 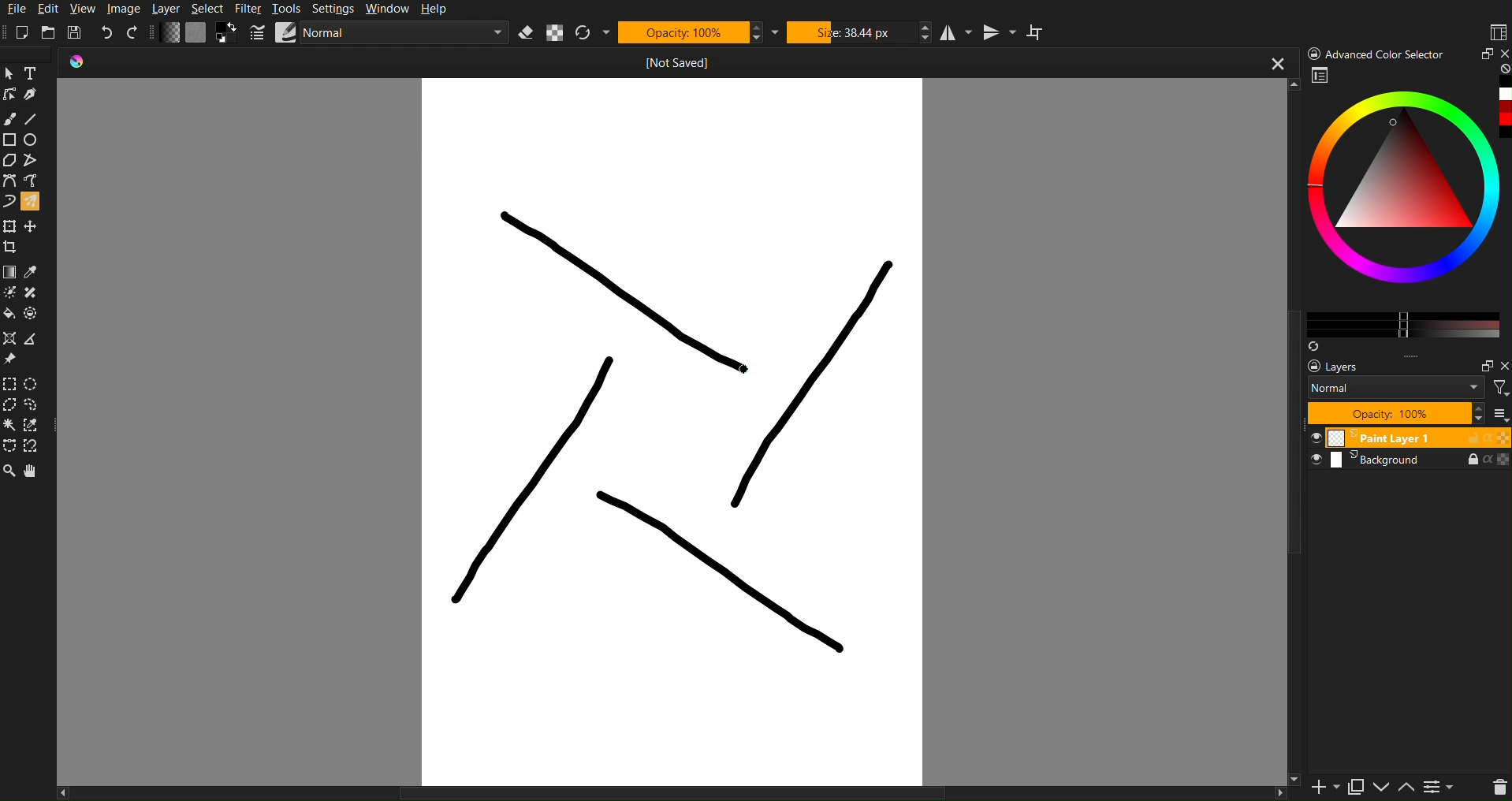 What do you see at coordinates (10, 95) in the screenshot?
I see `Linework` at bounding box center [10, 95].